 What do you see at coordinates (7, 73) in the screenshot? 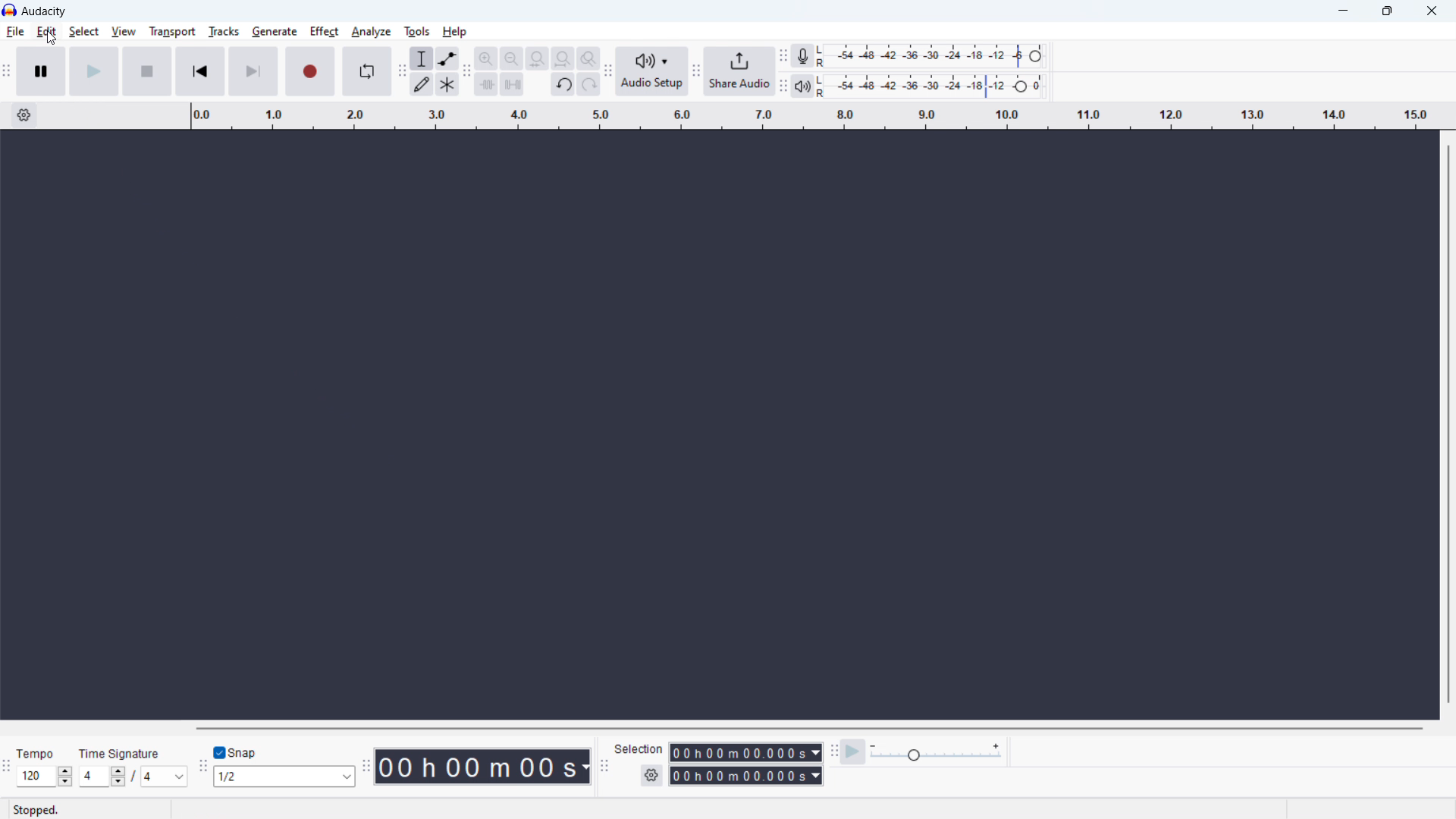
I see `transport toolbar` at bounding box center [7, 73].